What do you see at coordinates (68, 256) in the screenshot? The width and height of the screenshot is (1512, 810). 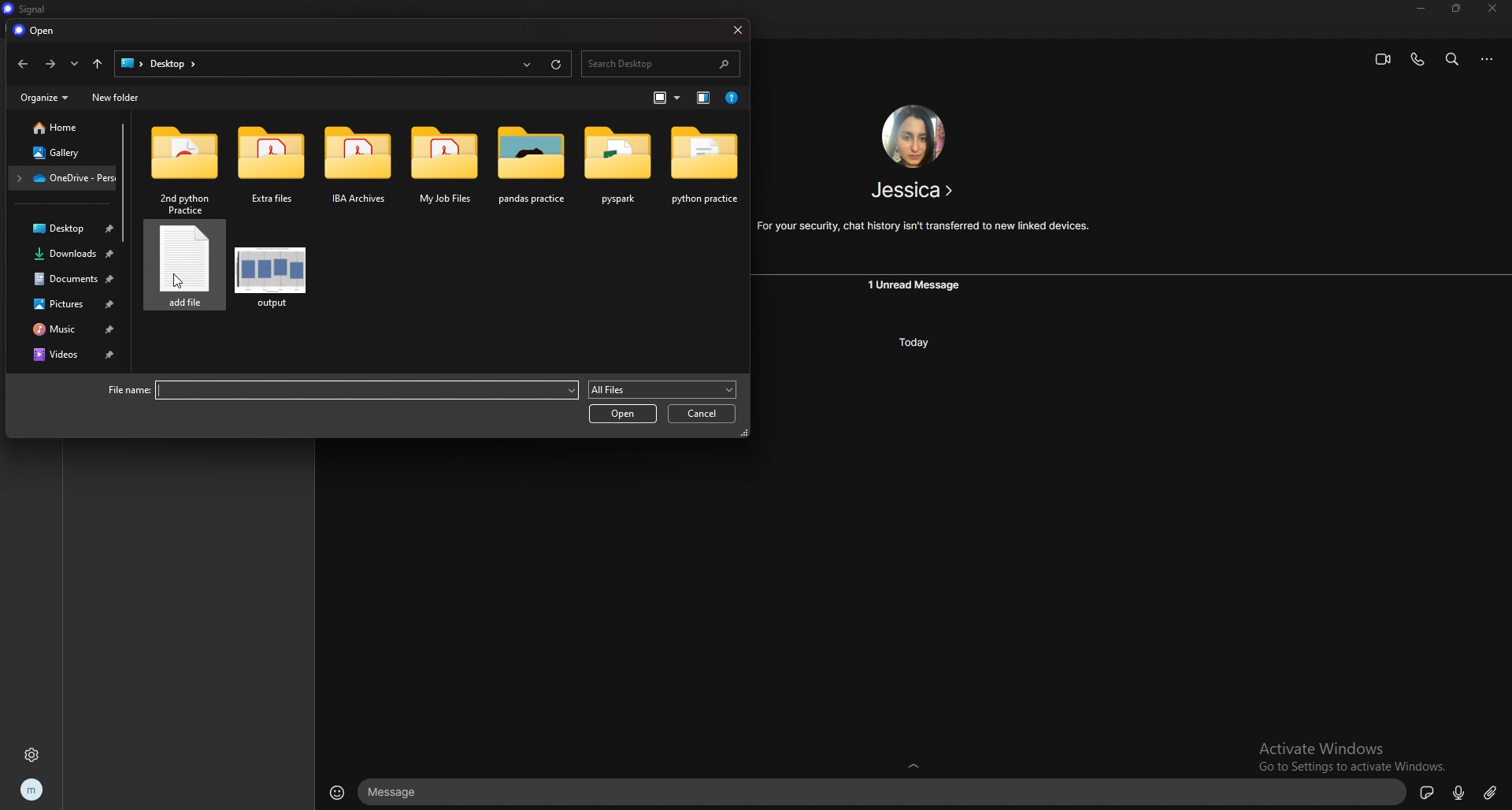 I see `downloads` at bounding box center [68, 256].